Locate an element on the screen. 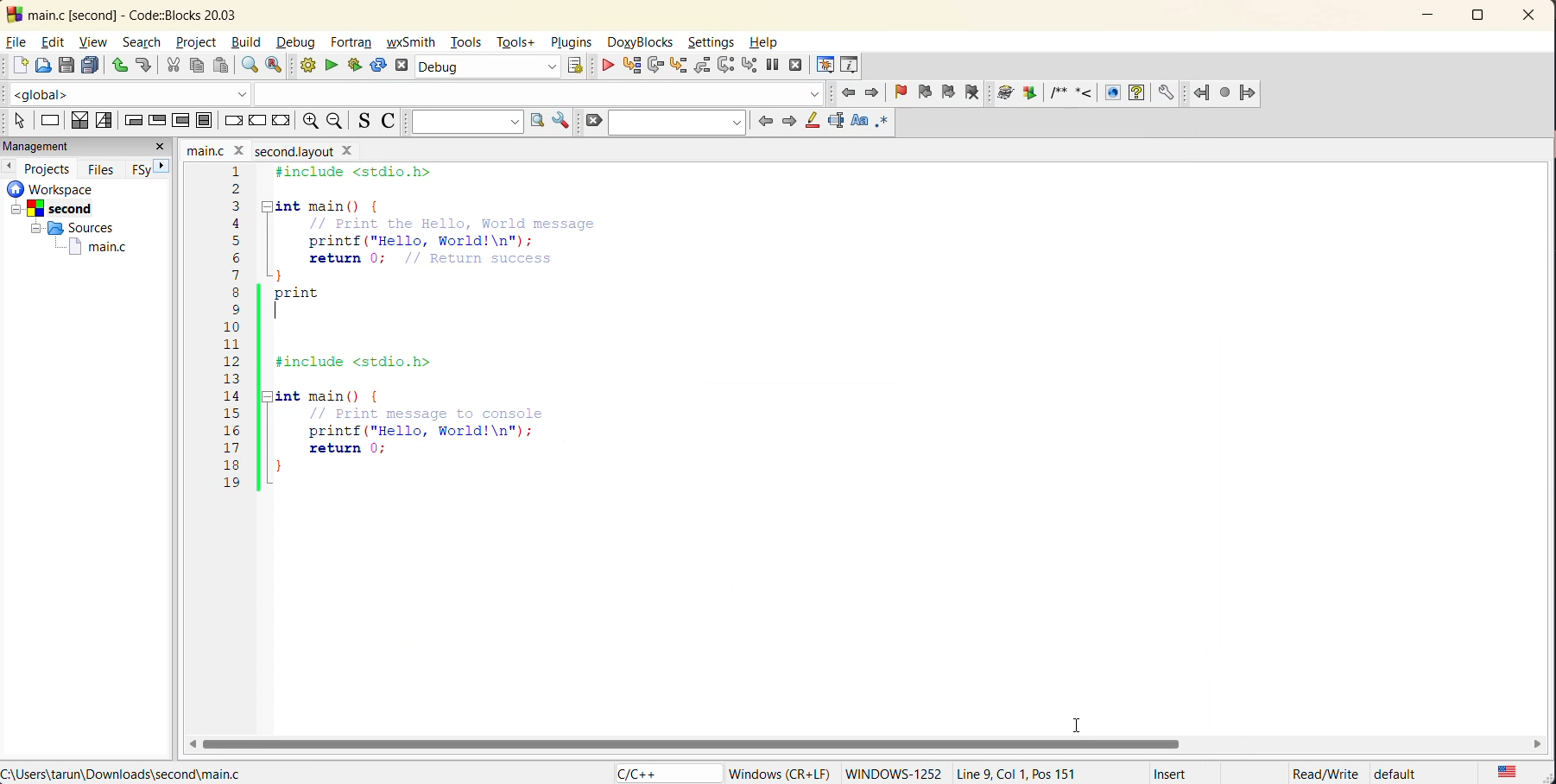 This screenshot has width=1556, height=784. Insert is located at coordinates (1170, 773).